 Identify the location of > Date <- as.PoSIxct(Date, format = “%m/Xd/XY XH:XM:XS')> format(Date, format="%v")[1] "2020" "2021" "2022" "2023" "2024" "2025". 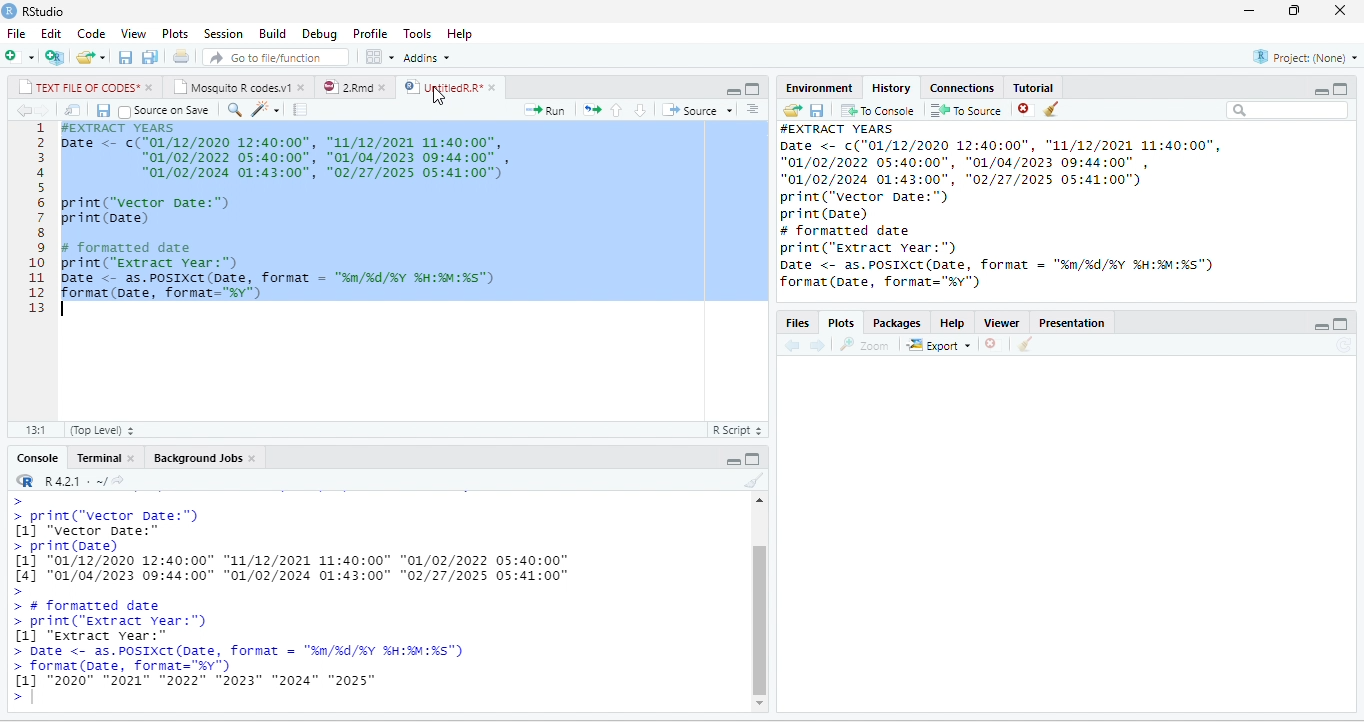
(242, 667).